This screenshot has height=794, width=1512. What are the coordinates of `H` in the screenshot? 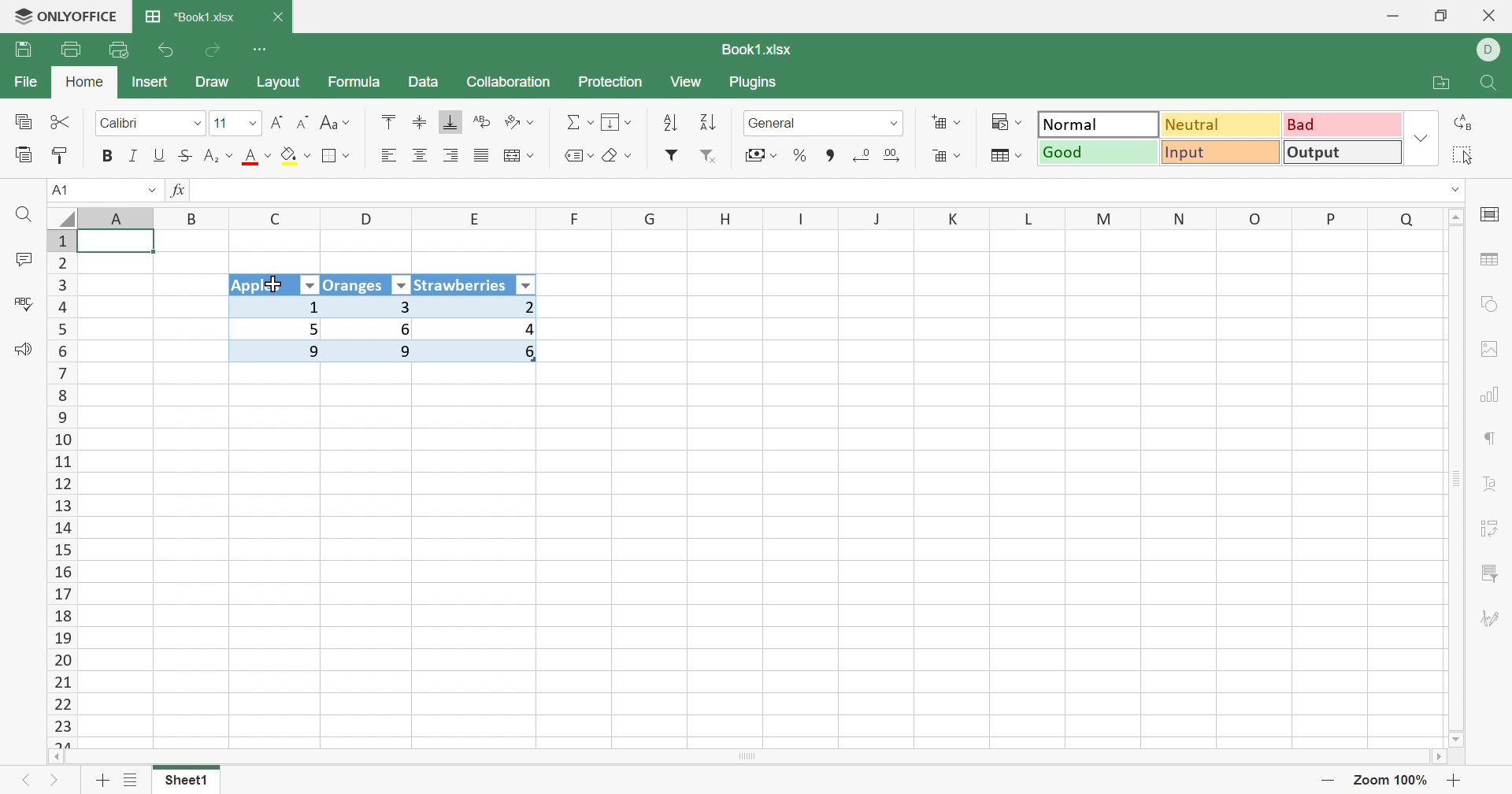 It's located at (726, 218).